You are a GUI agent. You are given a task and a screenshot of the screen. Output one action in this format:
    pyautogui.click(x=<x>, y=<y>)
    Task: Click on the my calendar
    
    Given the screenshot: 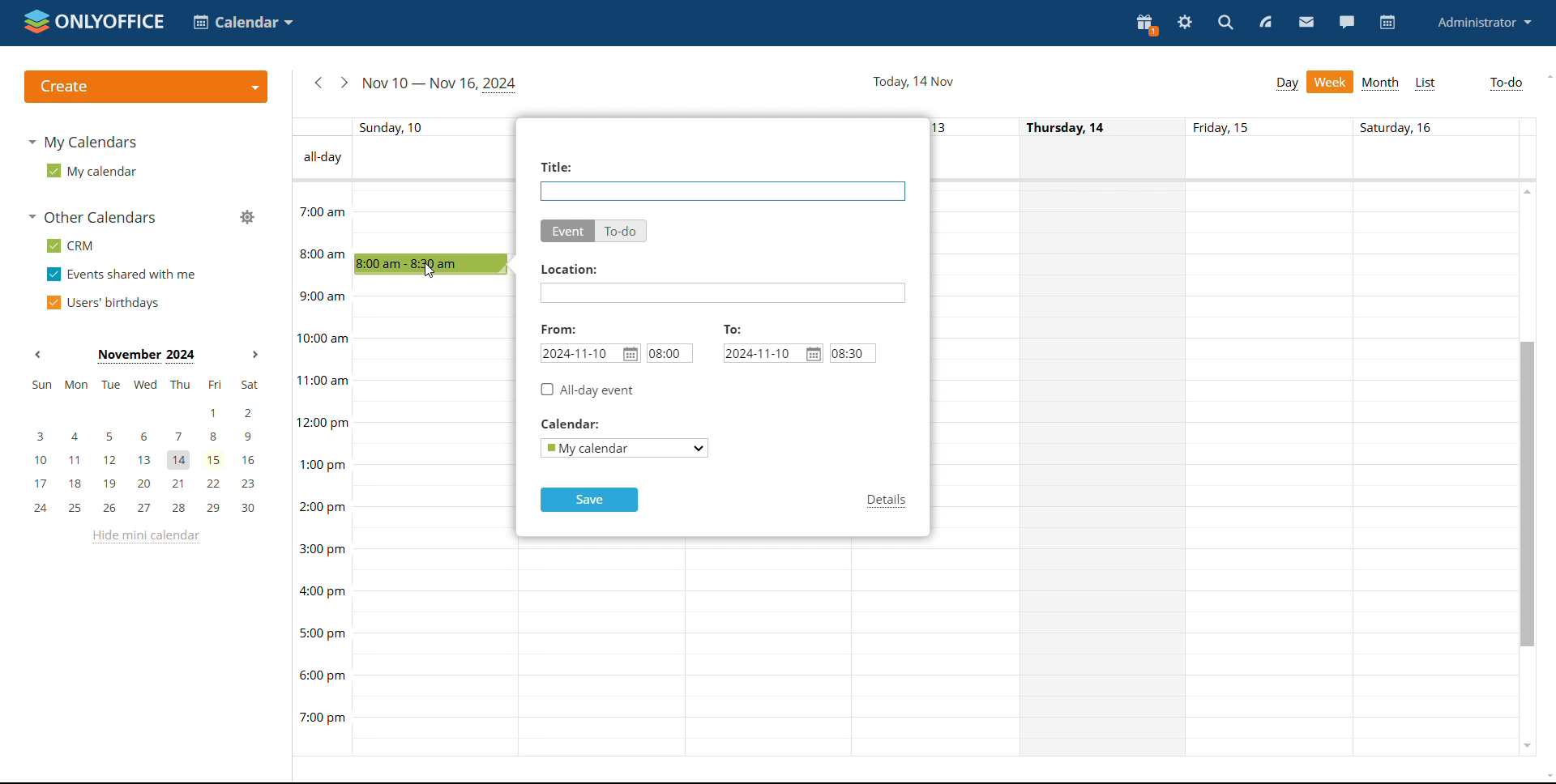 What is the action you would take?
    pyautogui.click(x=89, y=171)
    